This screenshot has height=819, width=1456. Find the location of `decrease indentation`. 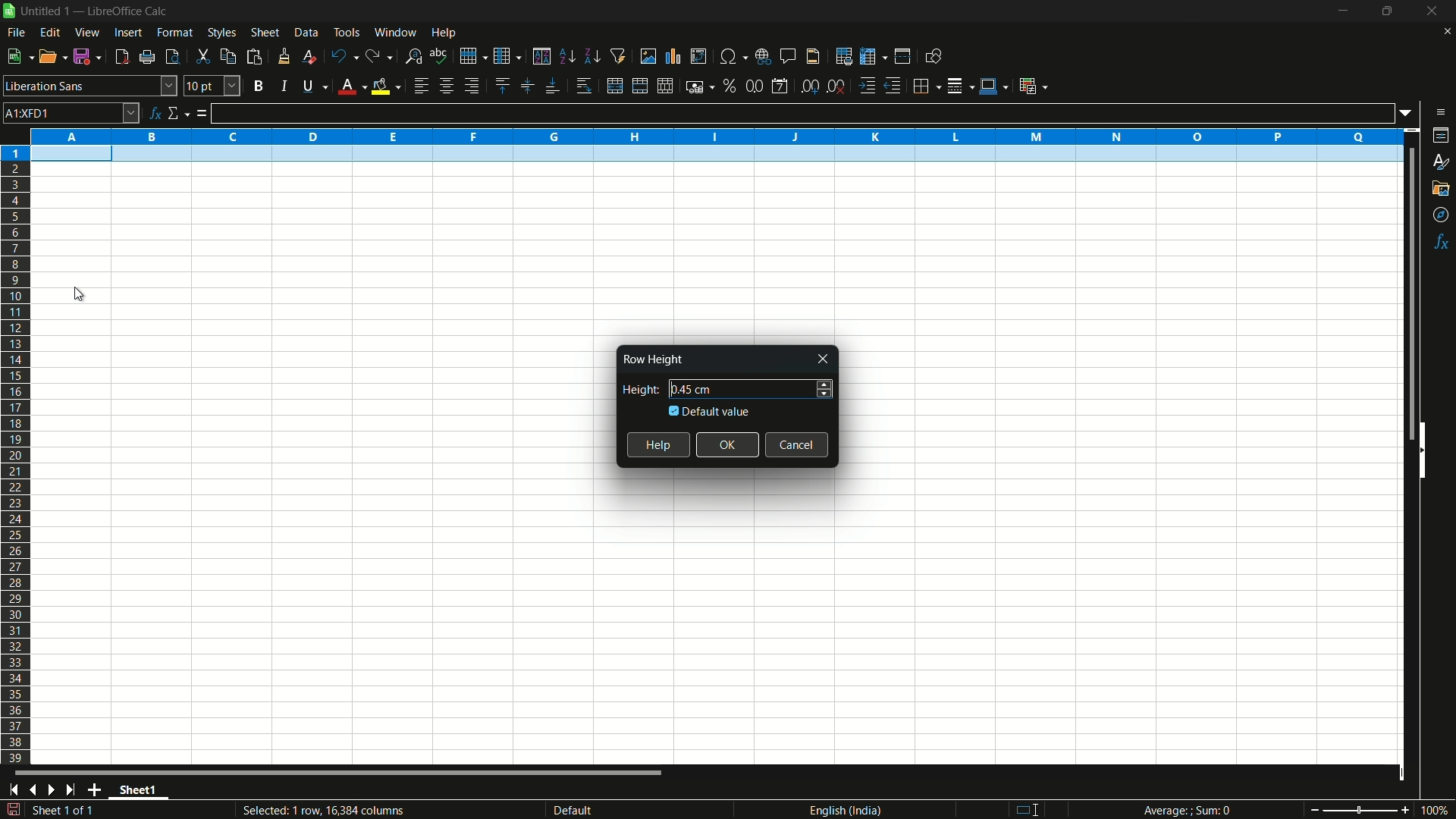

decrease indentation is located at coordinates (894, 86).